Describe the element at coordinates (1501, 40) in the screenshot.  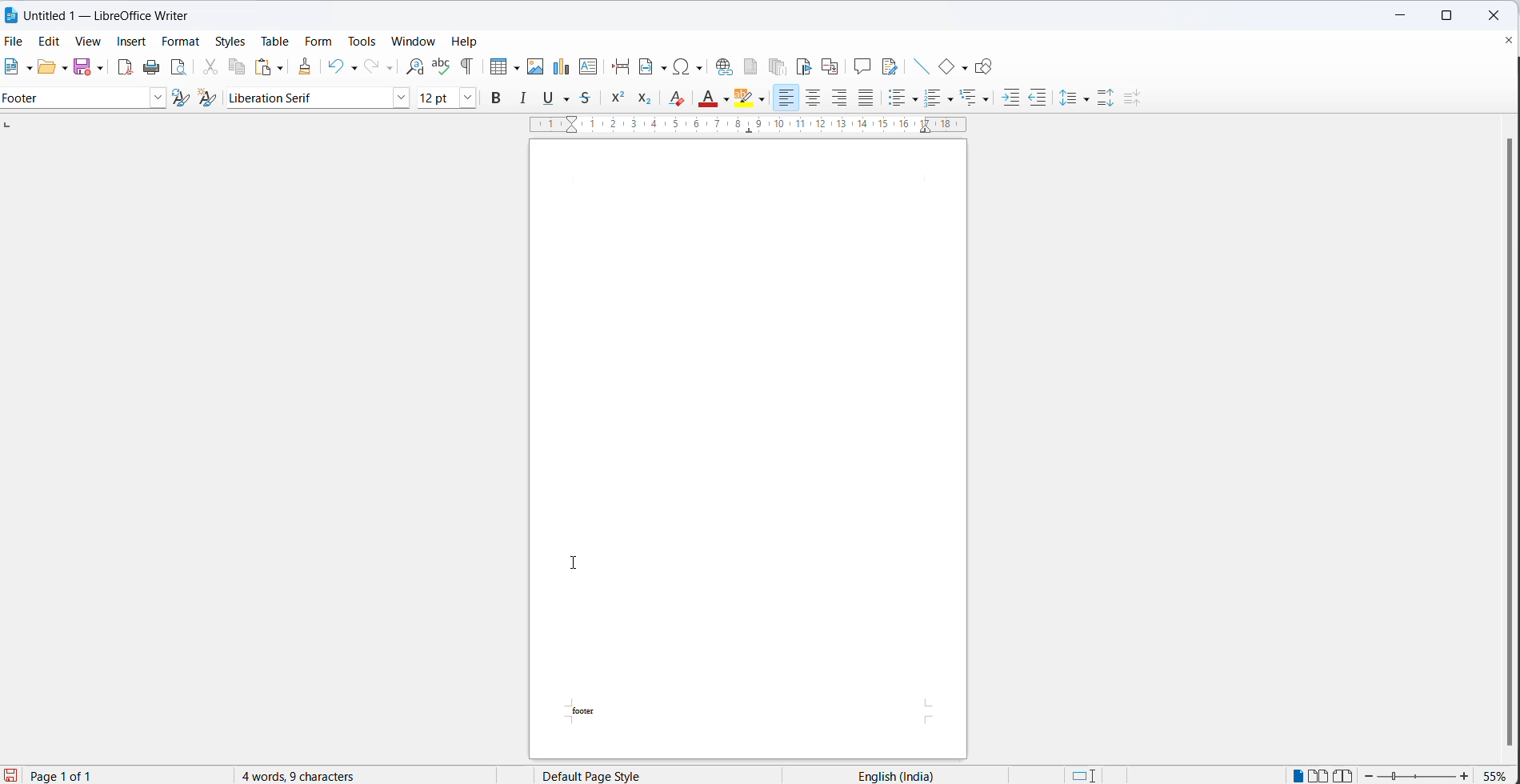
I see `close` at that location.